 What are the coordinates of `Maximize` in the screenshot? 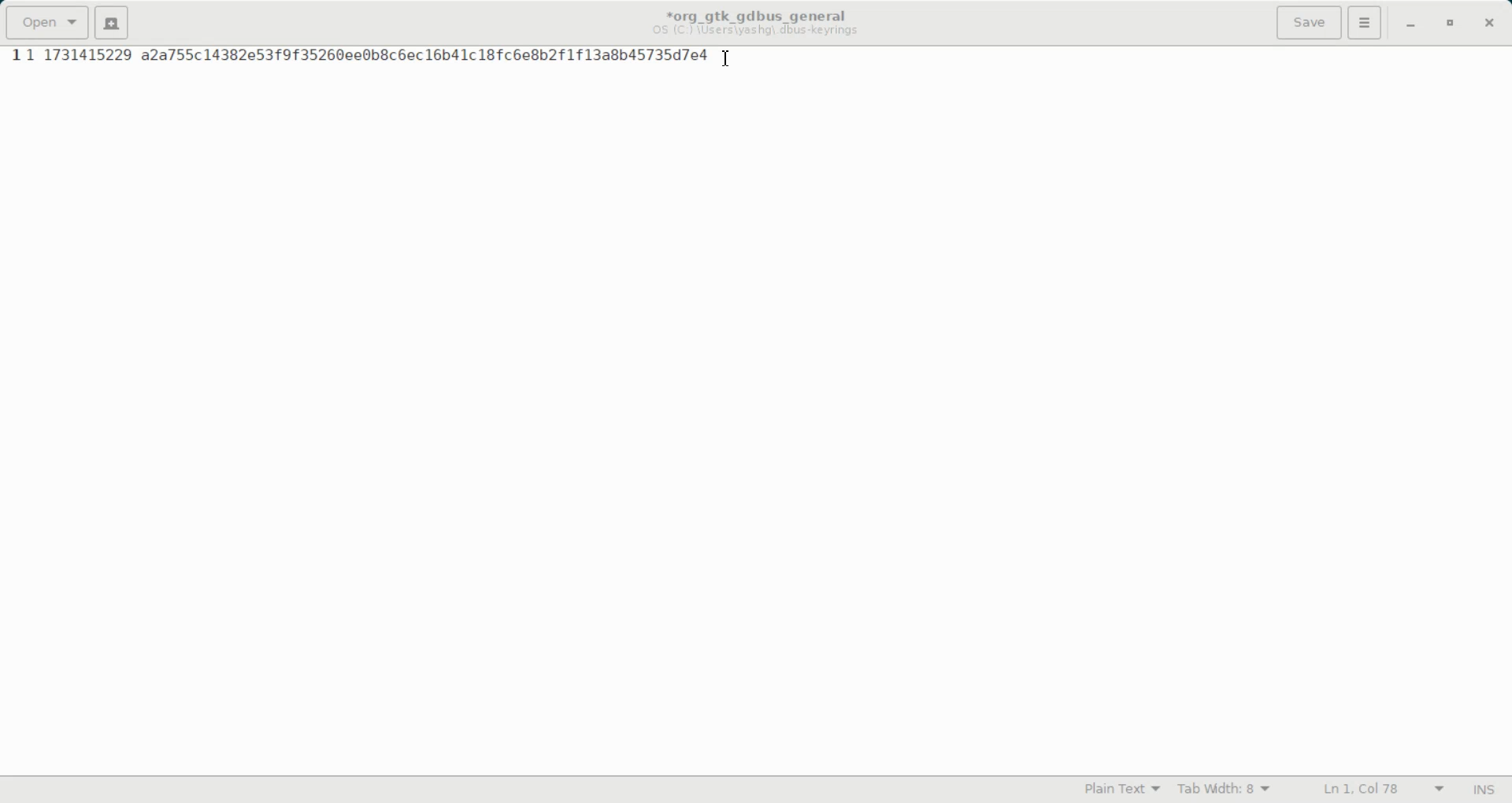 It's located at (1452, 24).